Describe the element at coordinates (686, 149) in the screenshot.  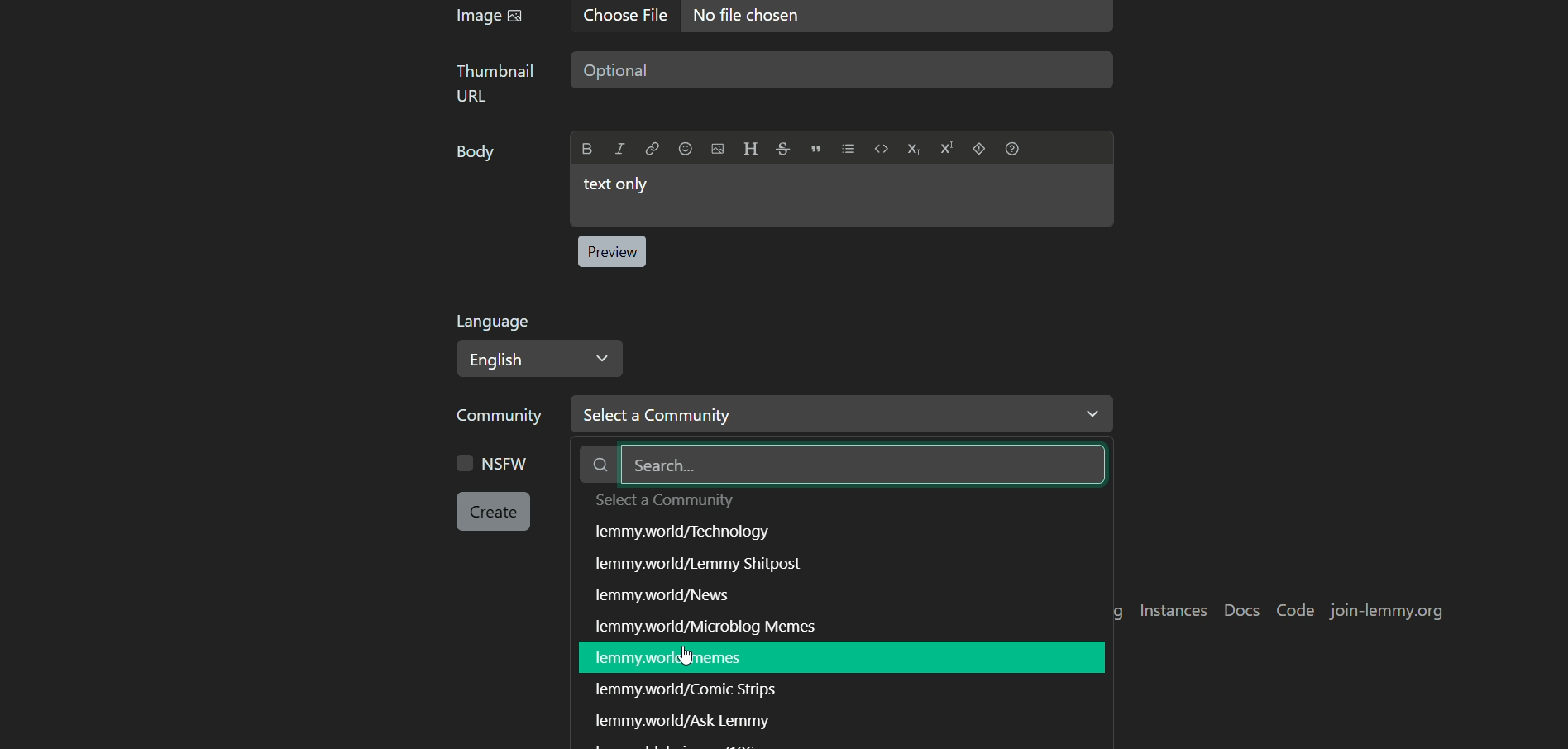
I see `Emoji` at that location.